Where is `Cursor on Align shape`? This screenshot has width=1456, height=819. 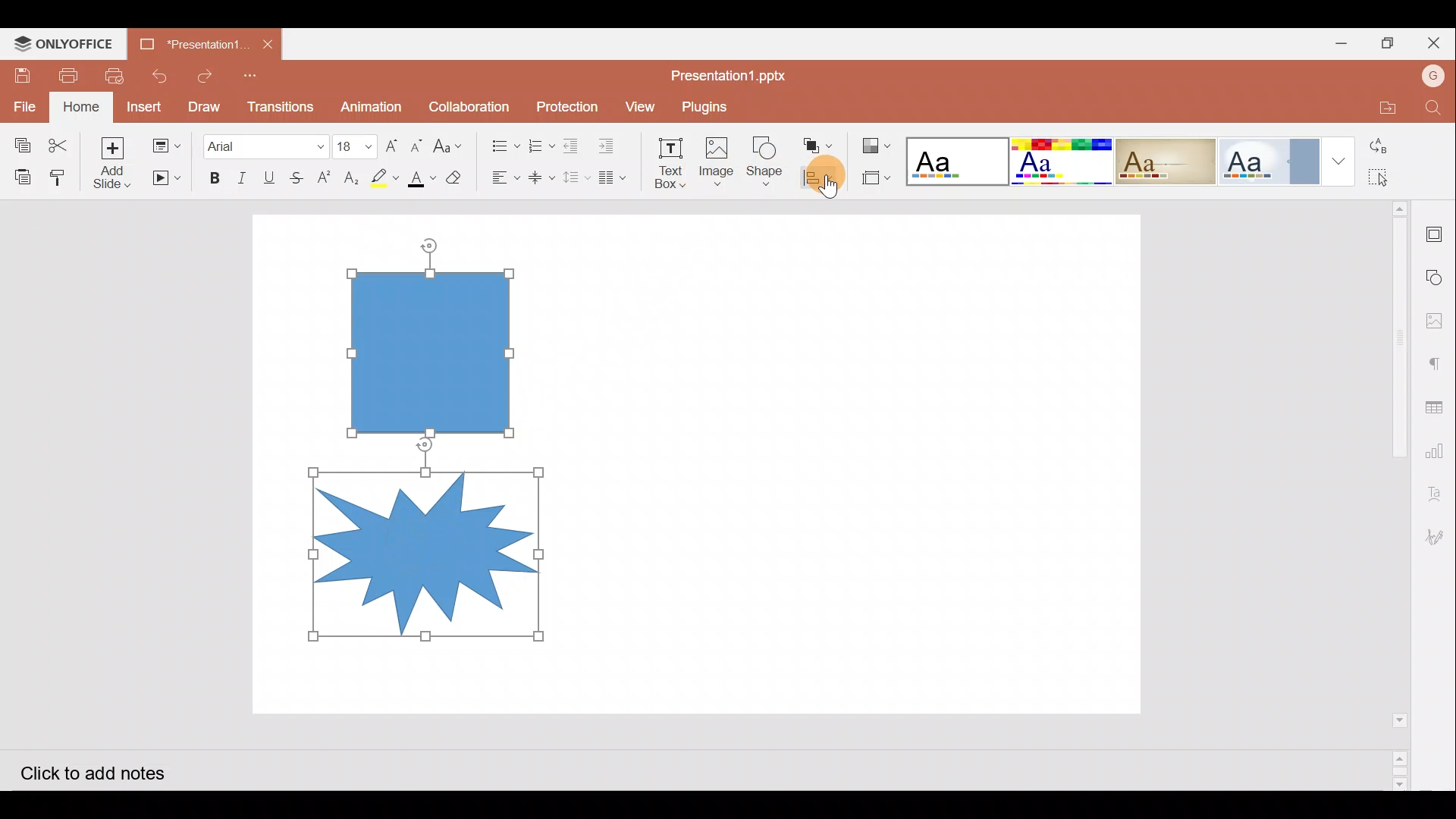
Cursor on Align shape is located at coordinates (824, 186).